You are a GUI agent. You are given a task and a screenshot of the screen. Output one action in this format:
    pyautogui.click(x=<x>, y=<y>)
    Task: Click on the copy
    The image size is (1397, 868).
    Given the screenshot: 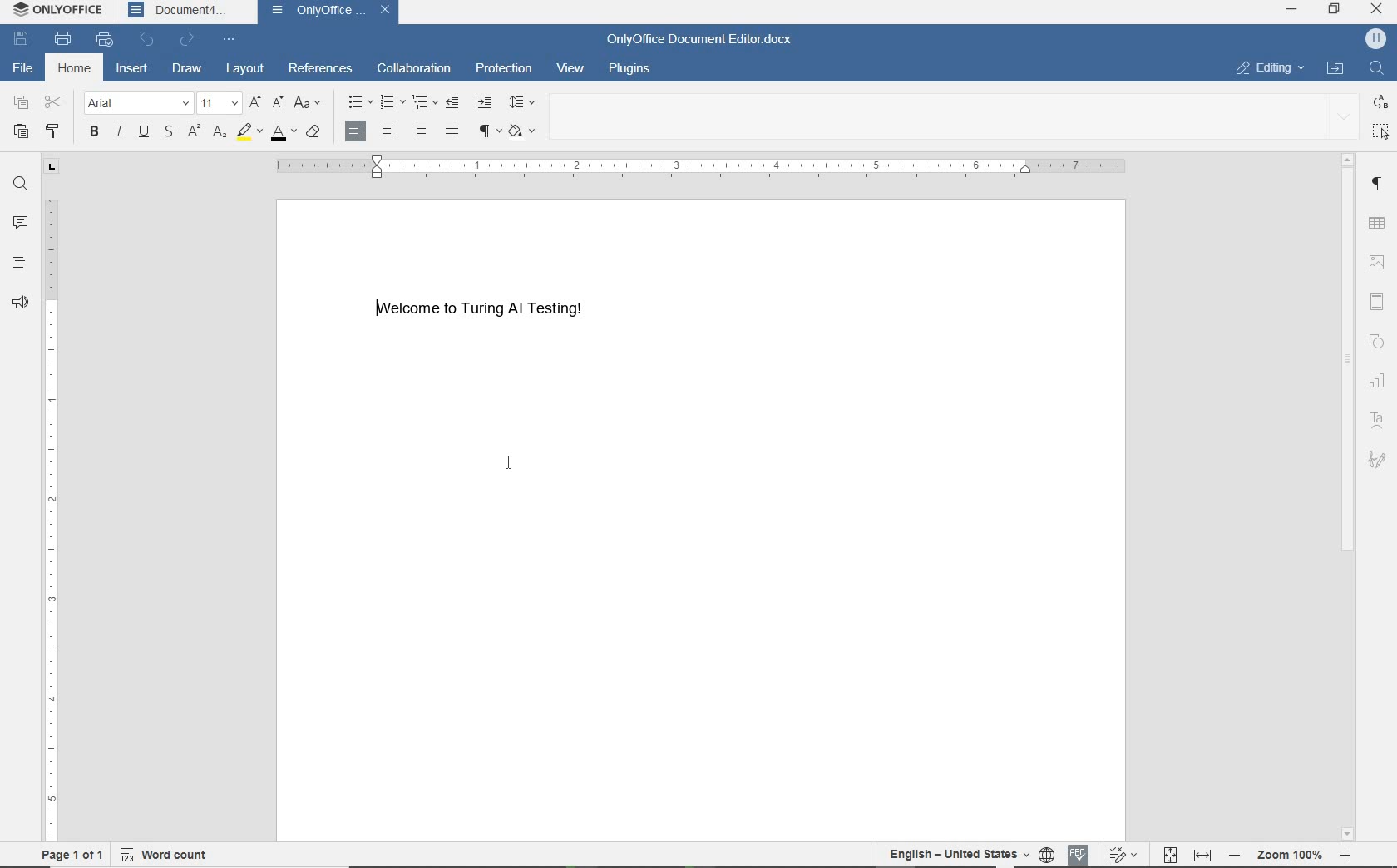 What is the action you would take?
    pyautogui.click(x=20, y=103)
    